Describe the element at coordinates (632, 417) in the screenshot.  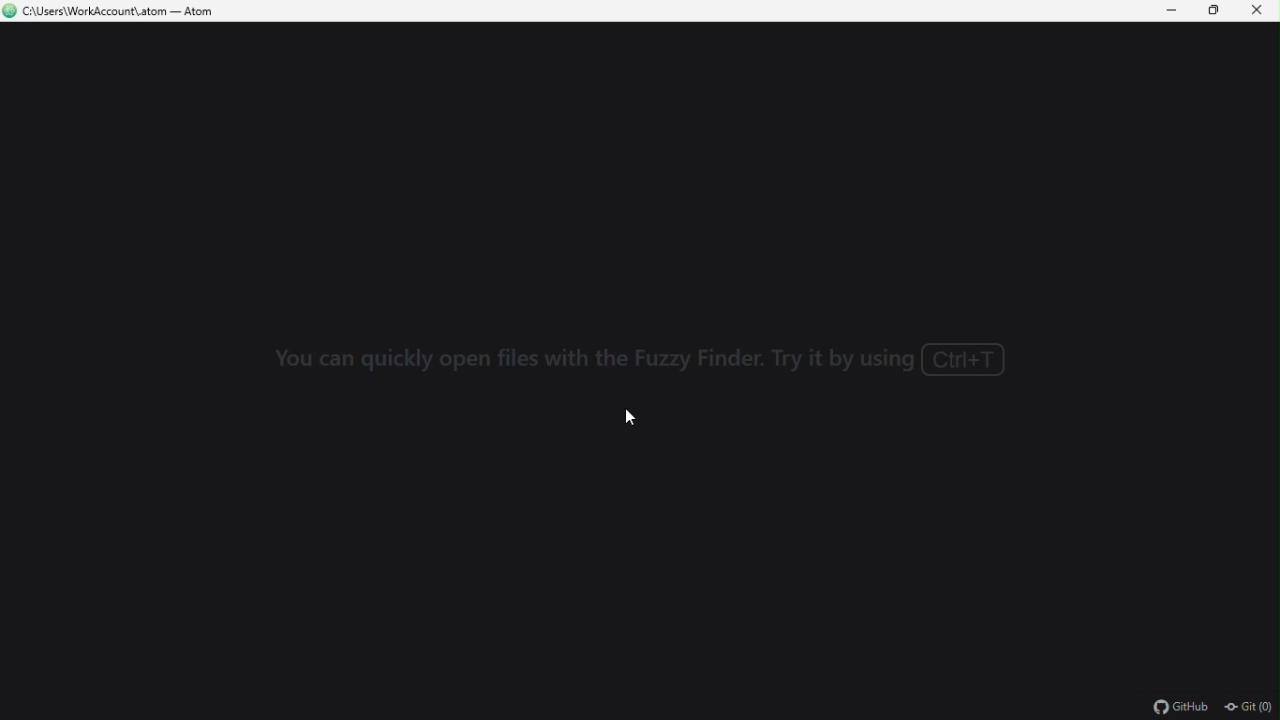
I see `cursor` at that location.